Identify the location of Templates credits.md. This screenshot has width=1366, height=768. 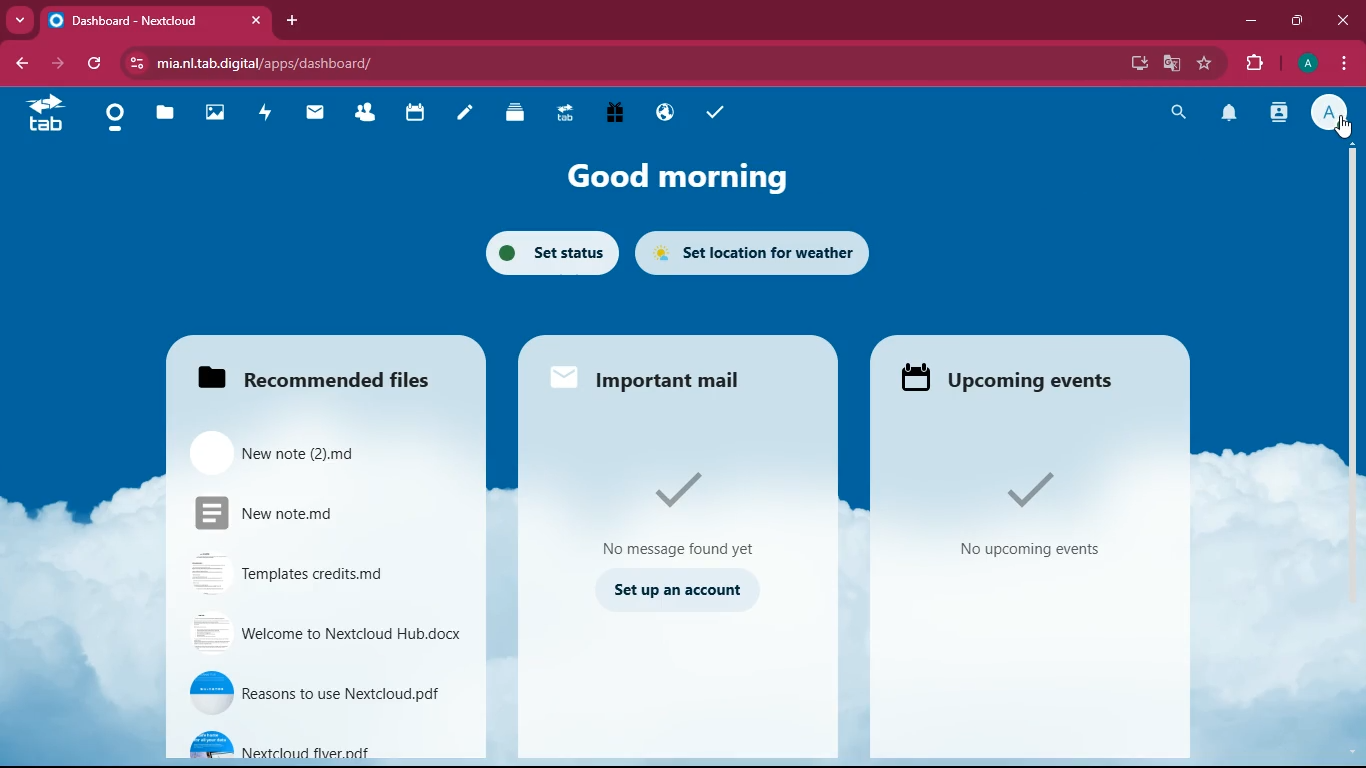
(316, 572).